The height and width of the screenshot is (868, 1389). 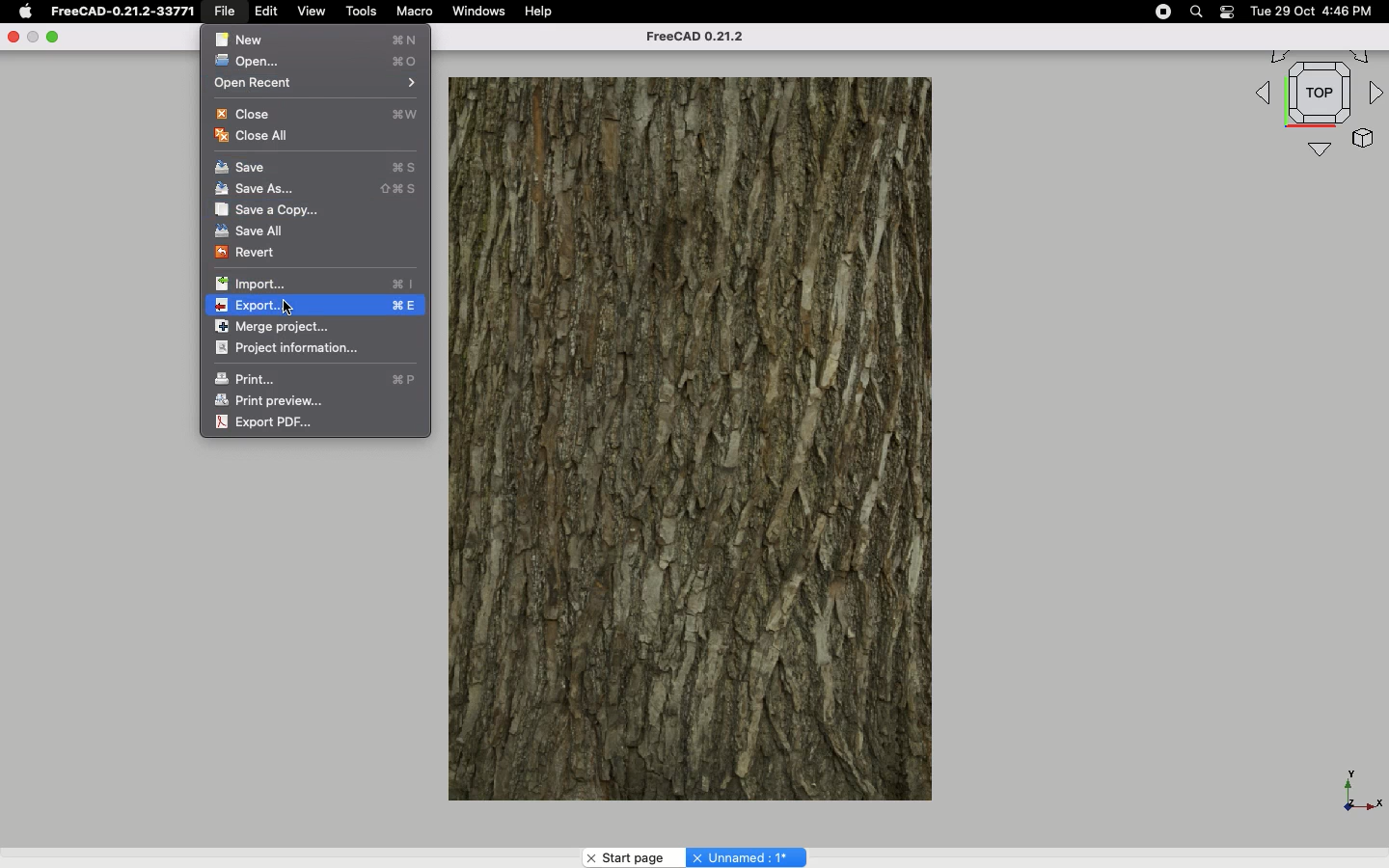 I want to click on Merge project, so click(x=272, y=327).